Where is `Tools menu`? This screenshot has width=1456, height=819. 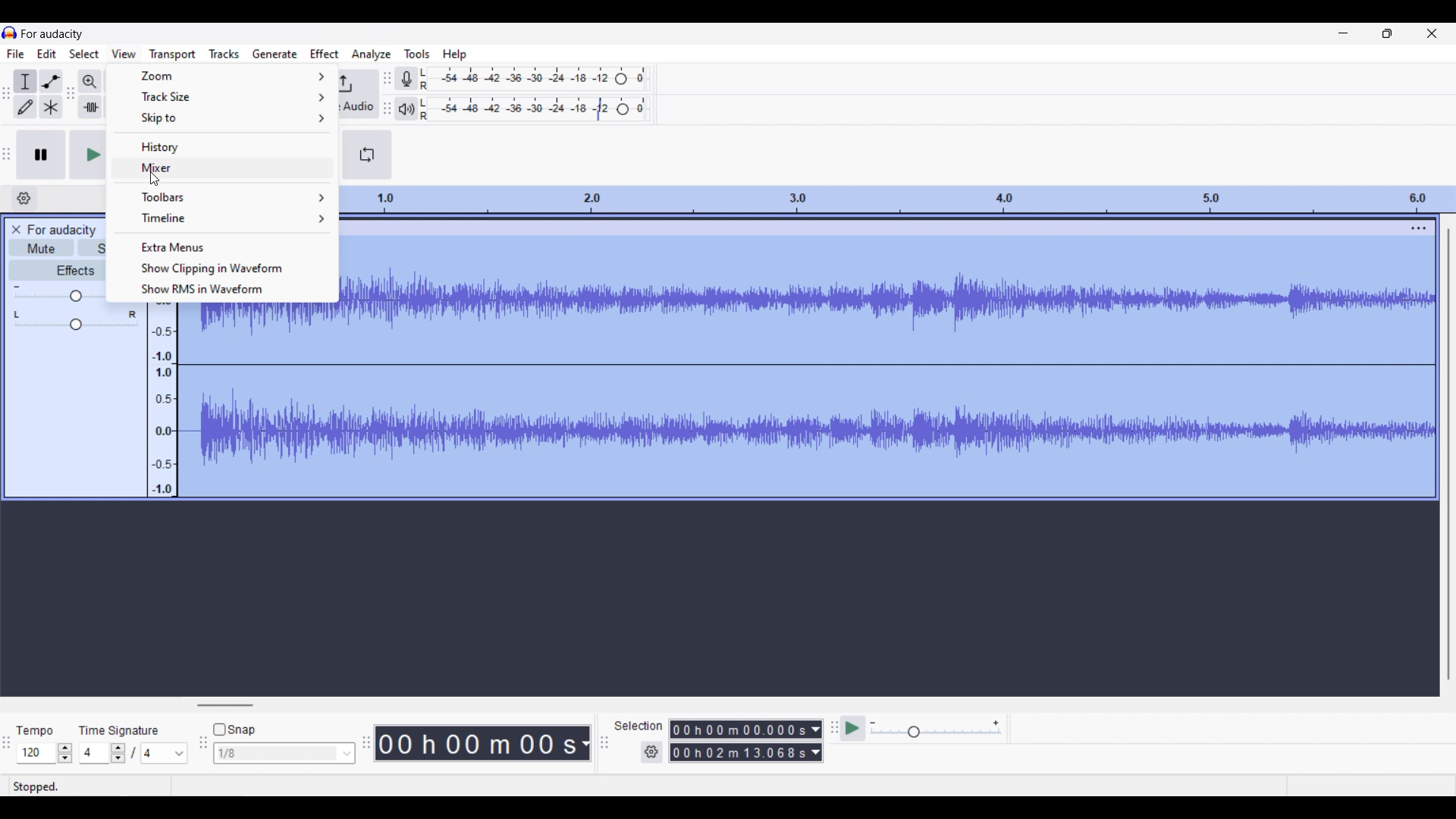
Tools menu is located at coordinates (417, 54).